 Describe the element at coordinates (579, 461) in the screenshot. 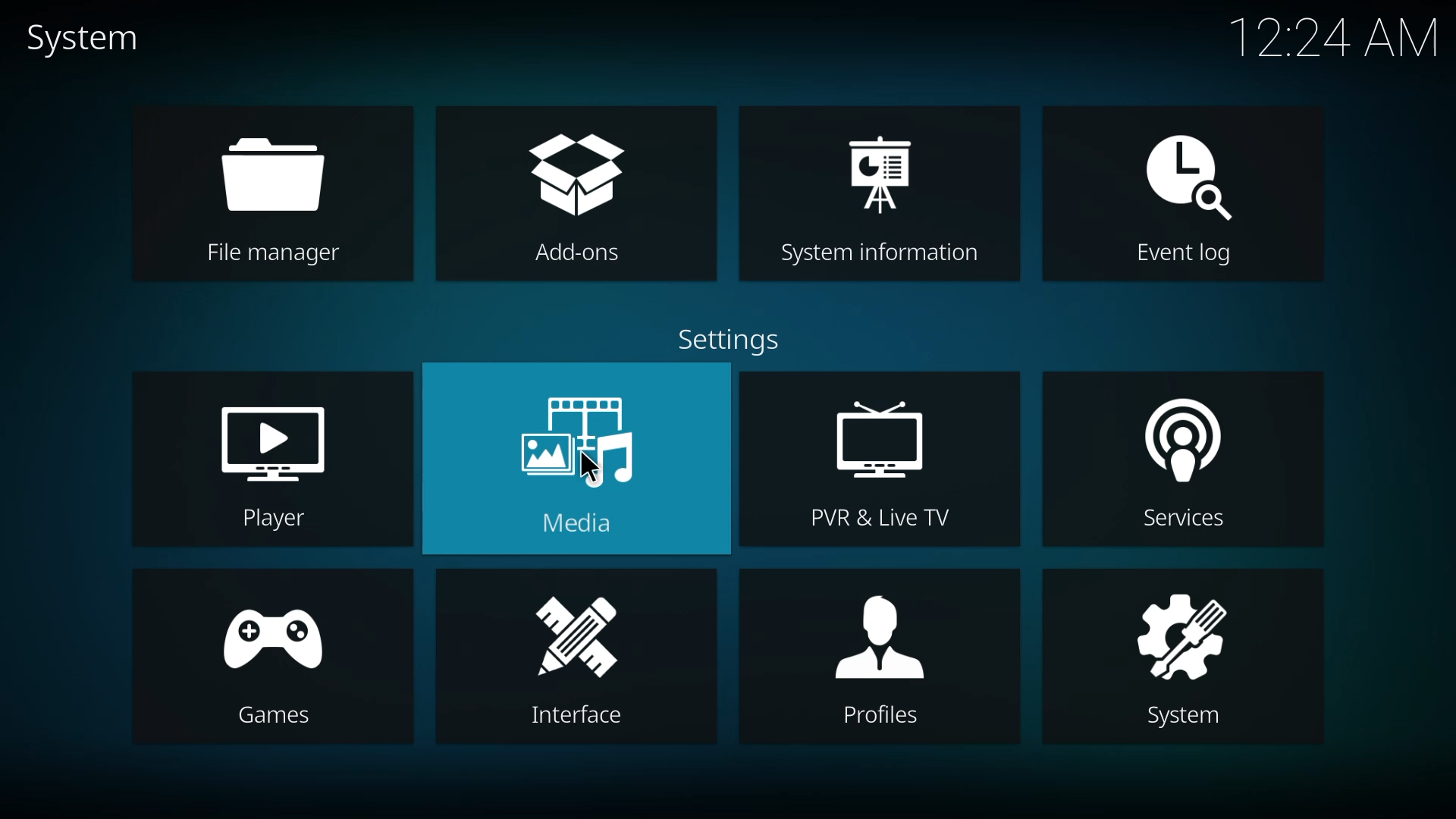

I see `media` at that location.